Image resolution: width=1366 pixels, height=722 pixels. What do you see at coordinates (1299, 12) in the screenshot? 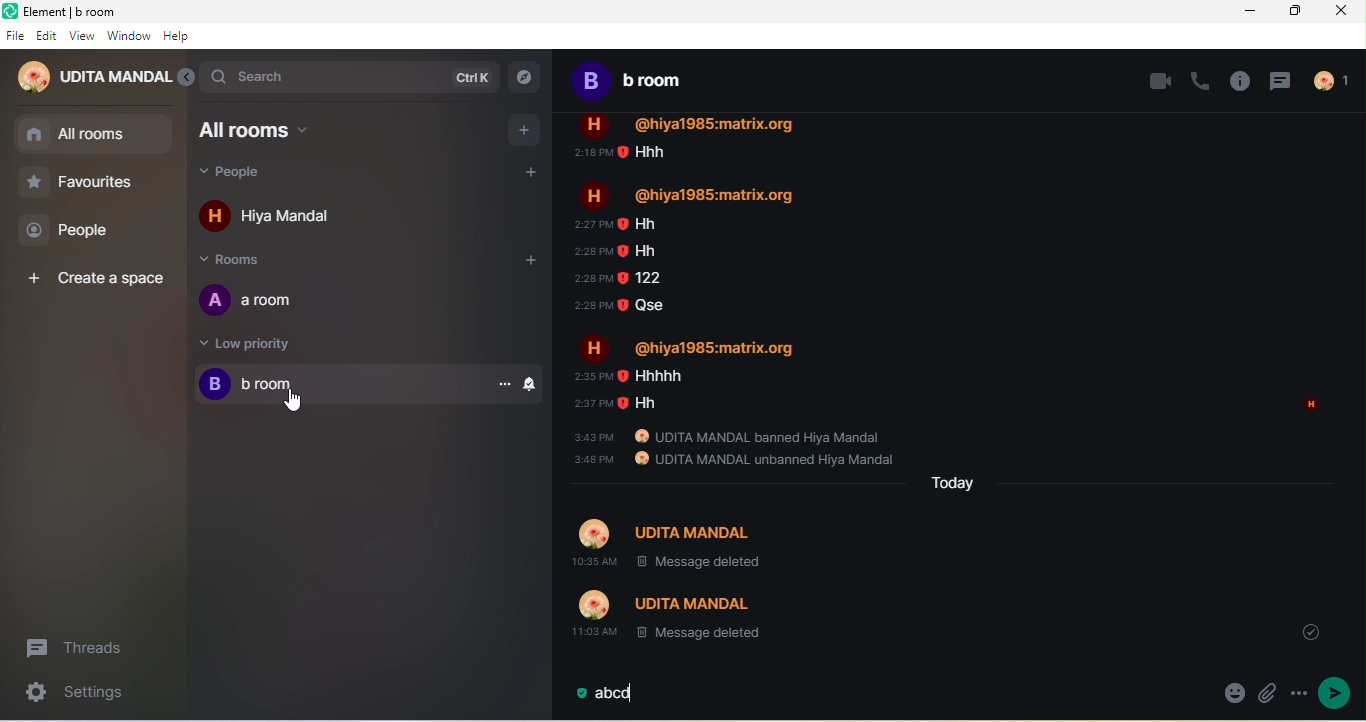
I see `maximize` at bounding box center [1299, 12].